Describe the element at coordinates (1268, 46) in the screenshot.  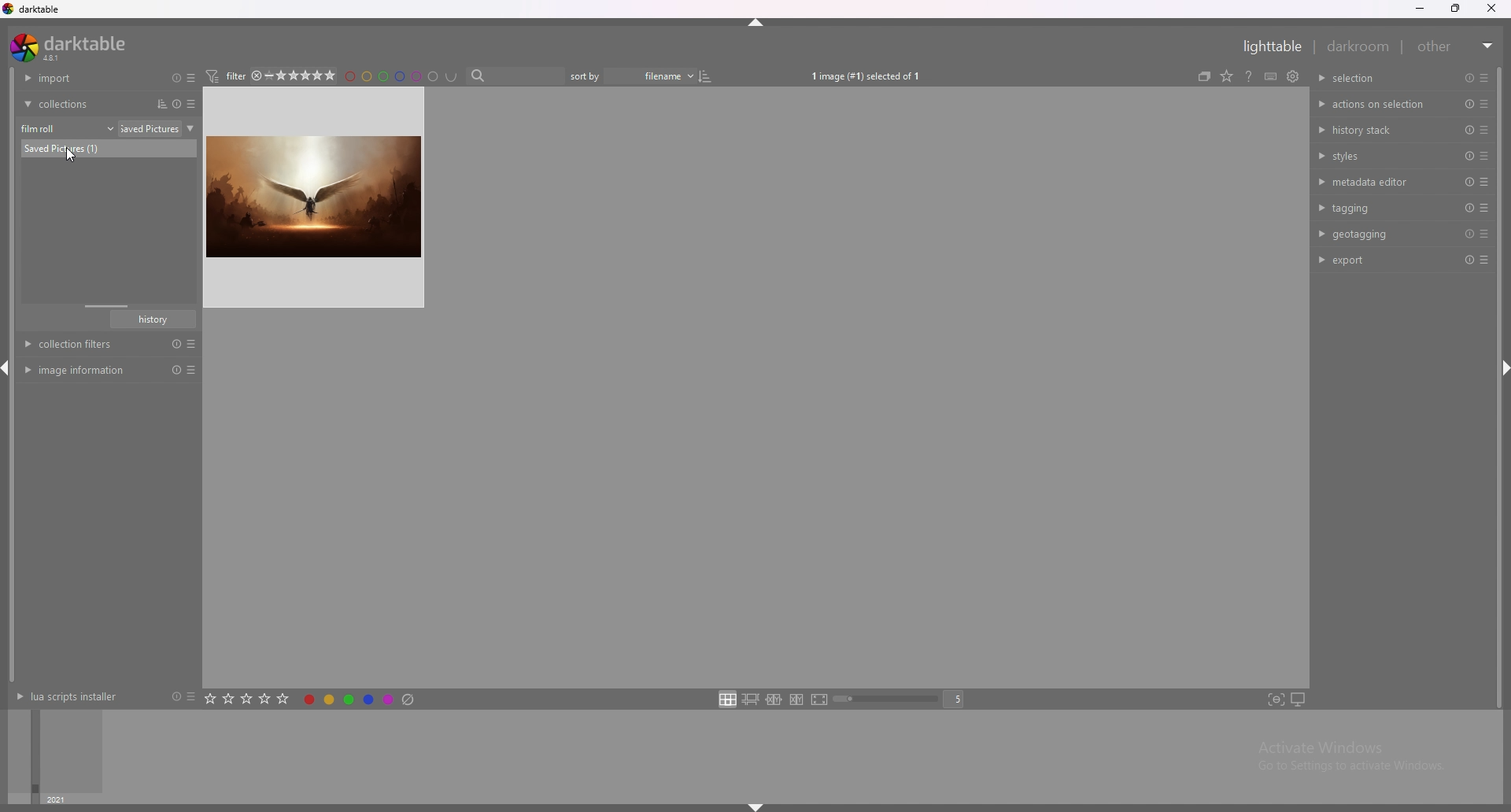
I see `lighttable` at that location.